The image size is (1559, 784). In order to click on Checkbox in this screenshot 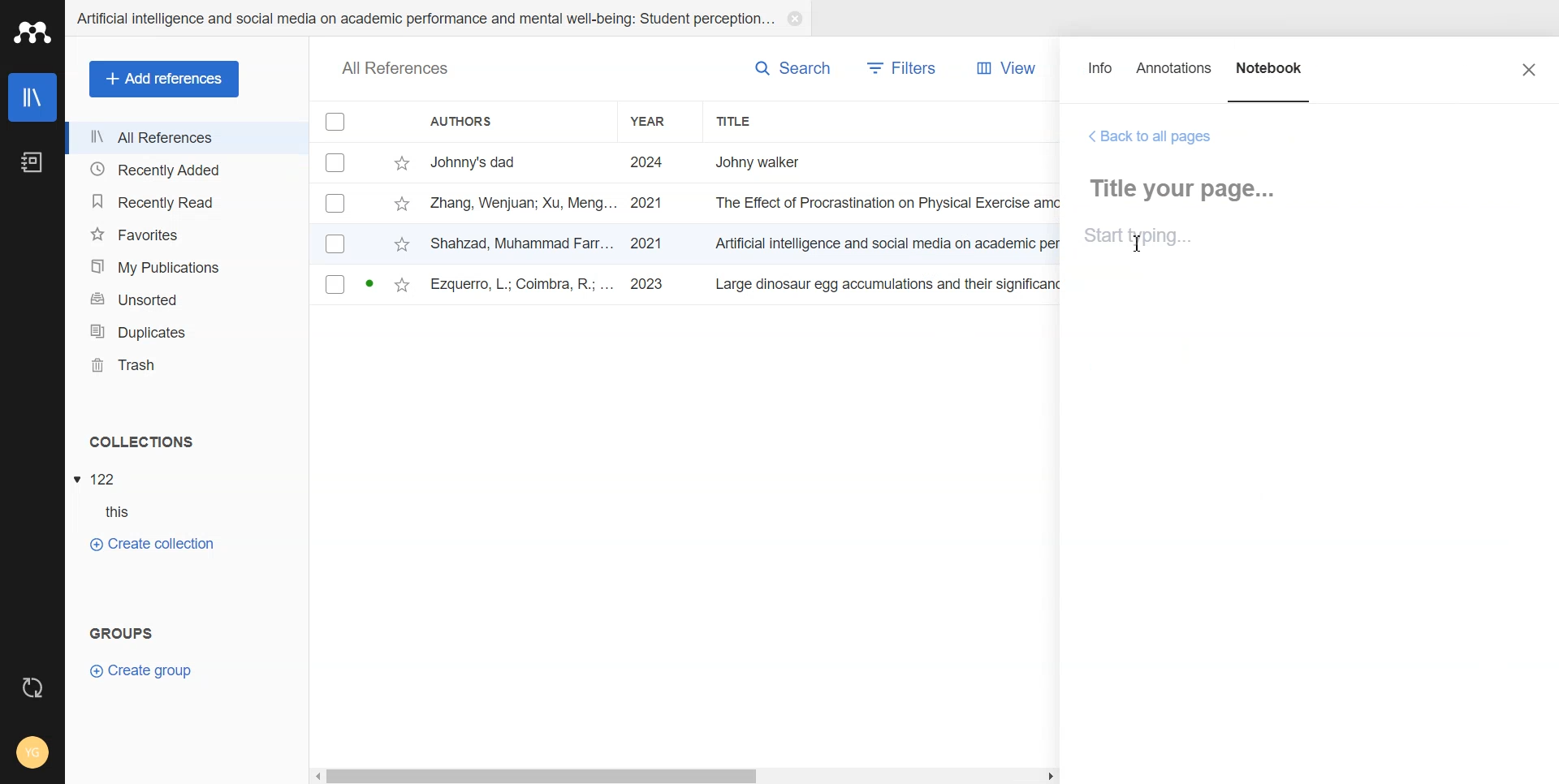, I will do `click(336, 203)`.